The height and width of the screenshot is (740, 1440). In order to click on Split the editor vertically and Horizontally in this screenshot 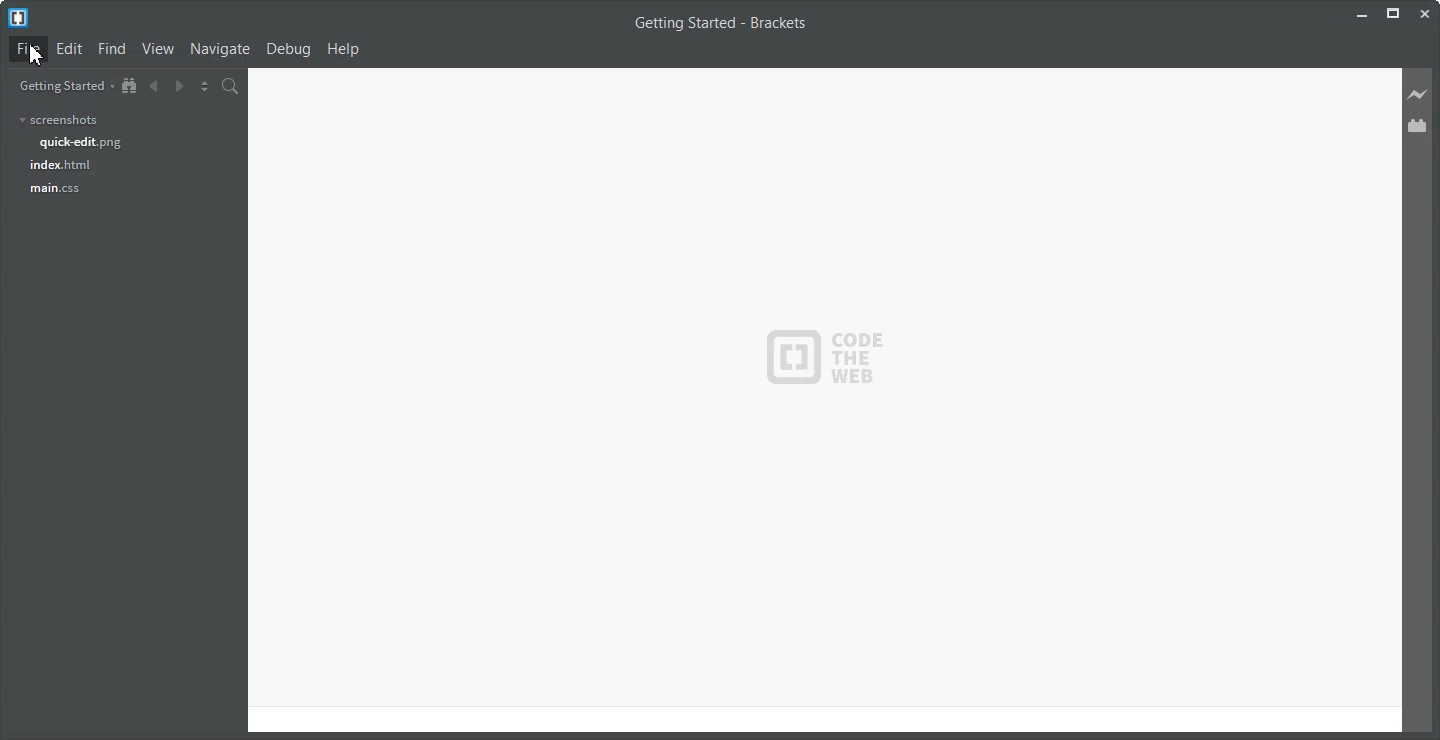, I will do `click(205, 86)`.